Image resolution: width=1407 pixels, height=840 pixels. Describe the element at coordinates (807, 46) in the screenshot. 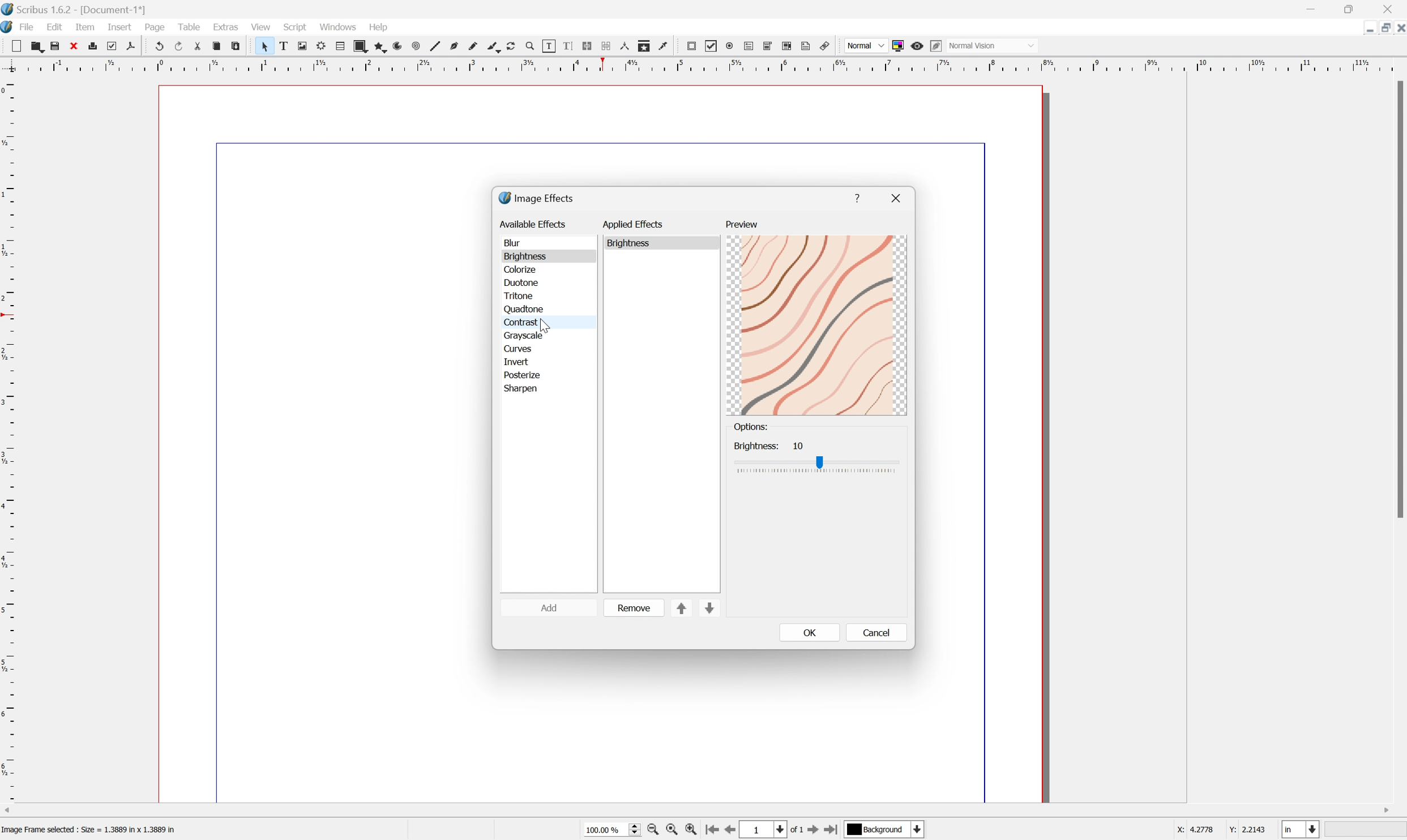

I see `text annotation` at that location.